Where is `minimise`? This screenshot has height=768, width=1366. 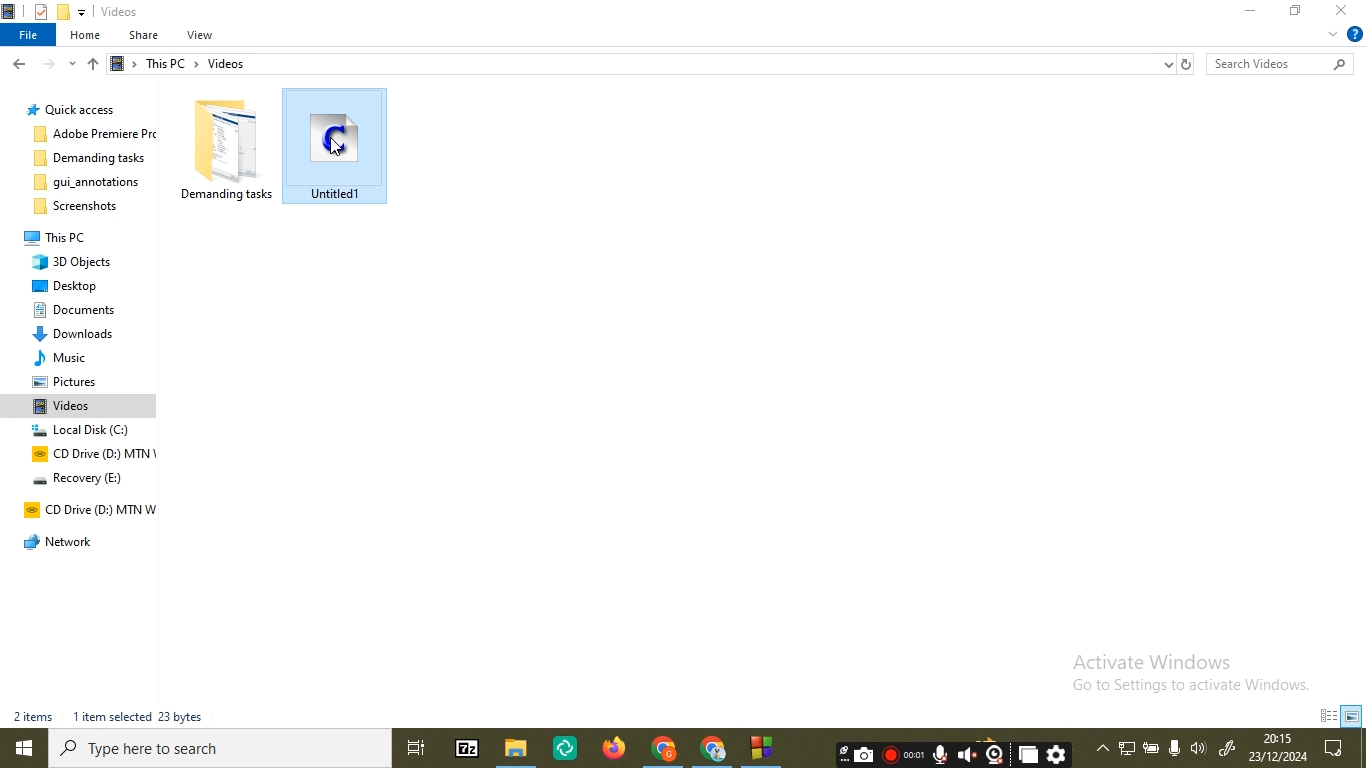
minimise is located at coordinates (1248, 13).